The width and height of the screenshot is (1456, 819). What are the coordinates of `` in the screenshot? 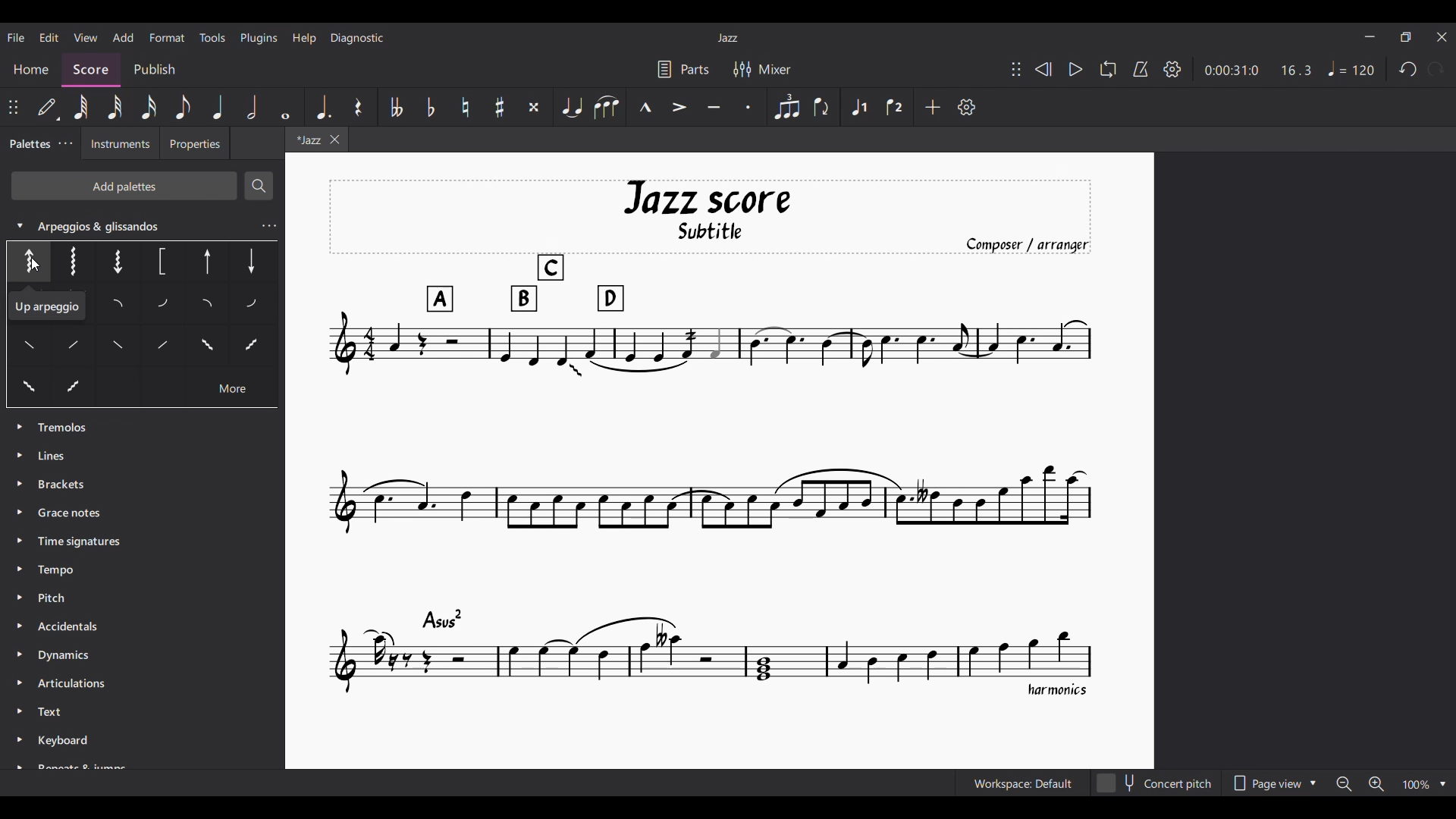 It's located at (165, 262).